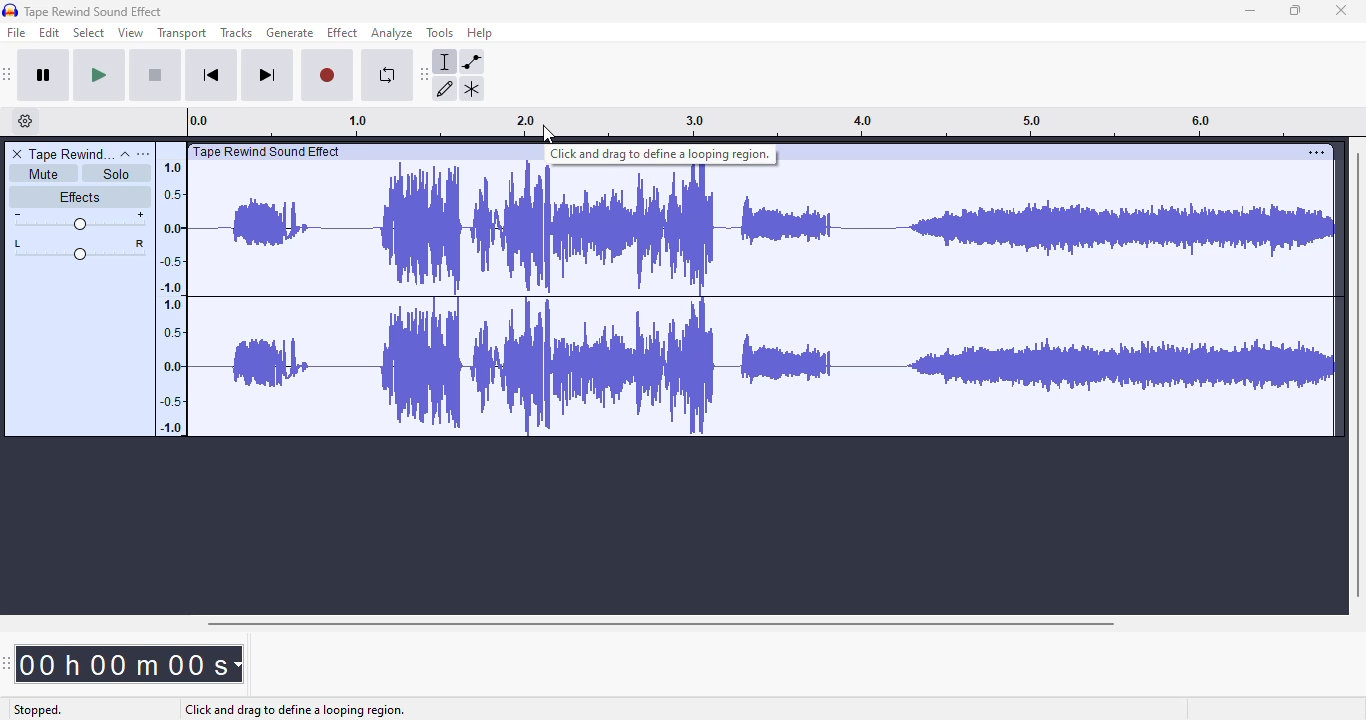 The width and height of the screenshot is (1366, 720). I want to click on analyze , so click(392, 33).